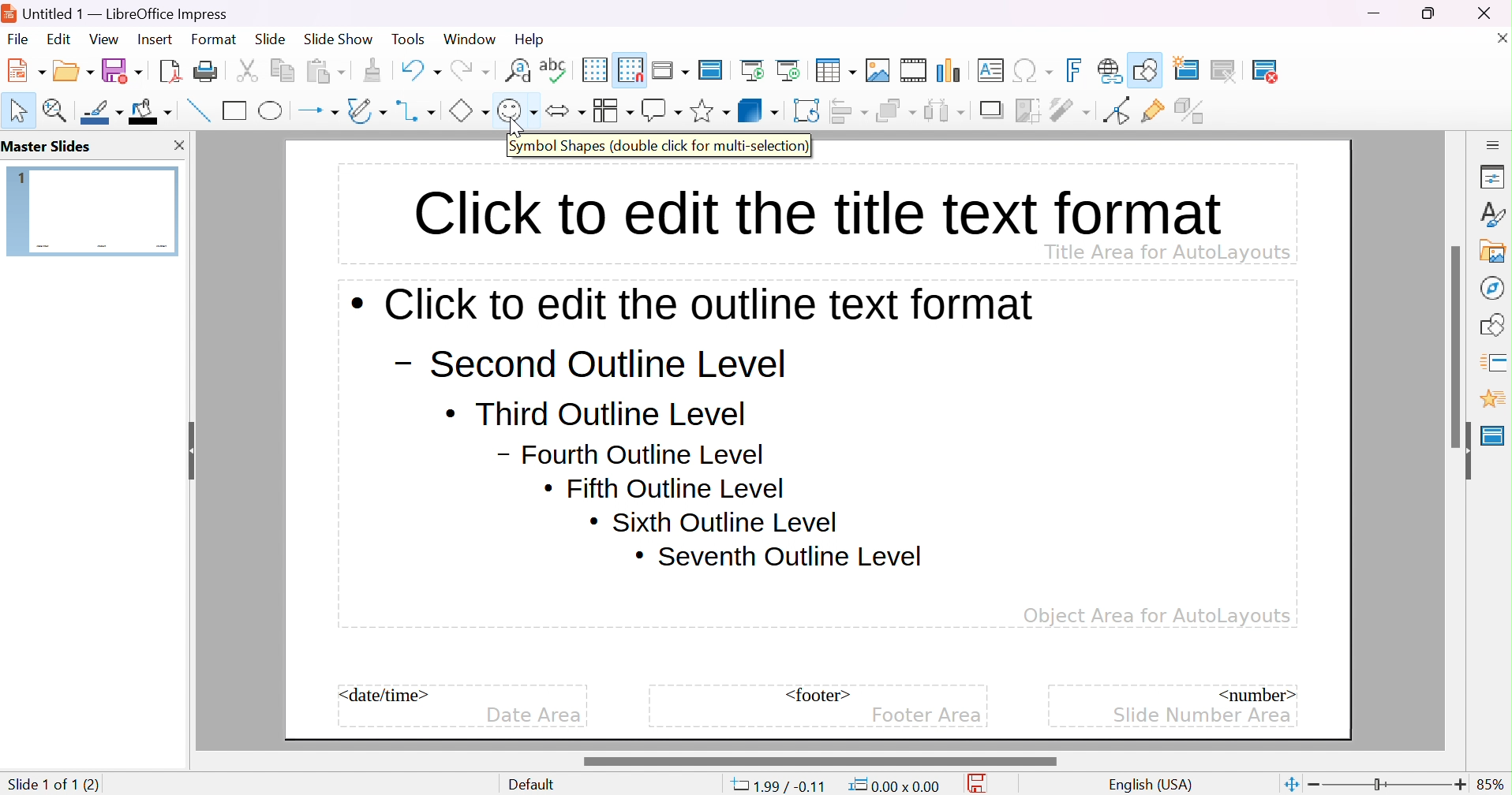 The height and width of the screenshot is (795, 1512). I want to click on duplicate slide, so click(1235, 71).